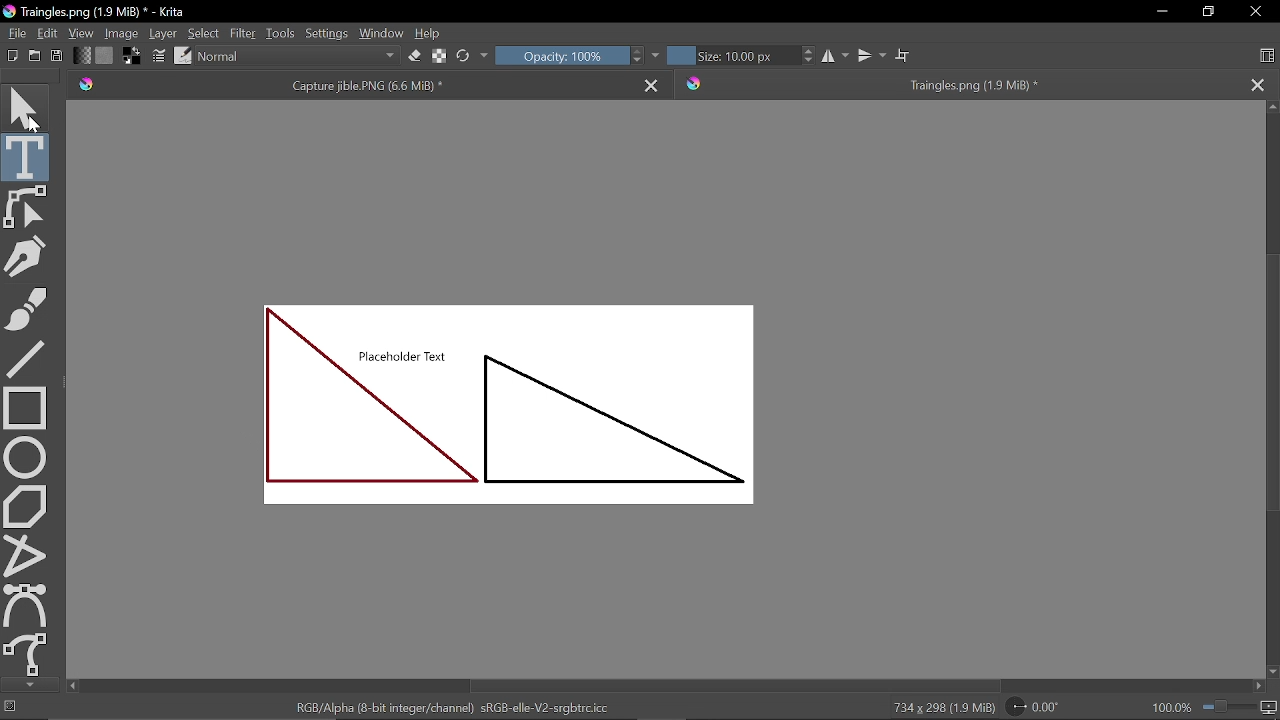 The width and height of the screenshot is (1280, 720). What do you see at coordinates (203, 33) in the screenshot?
I see `Select` at bounding box center [203, 33].